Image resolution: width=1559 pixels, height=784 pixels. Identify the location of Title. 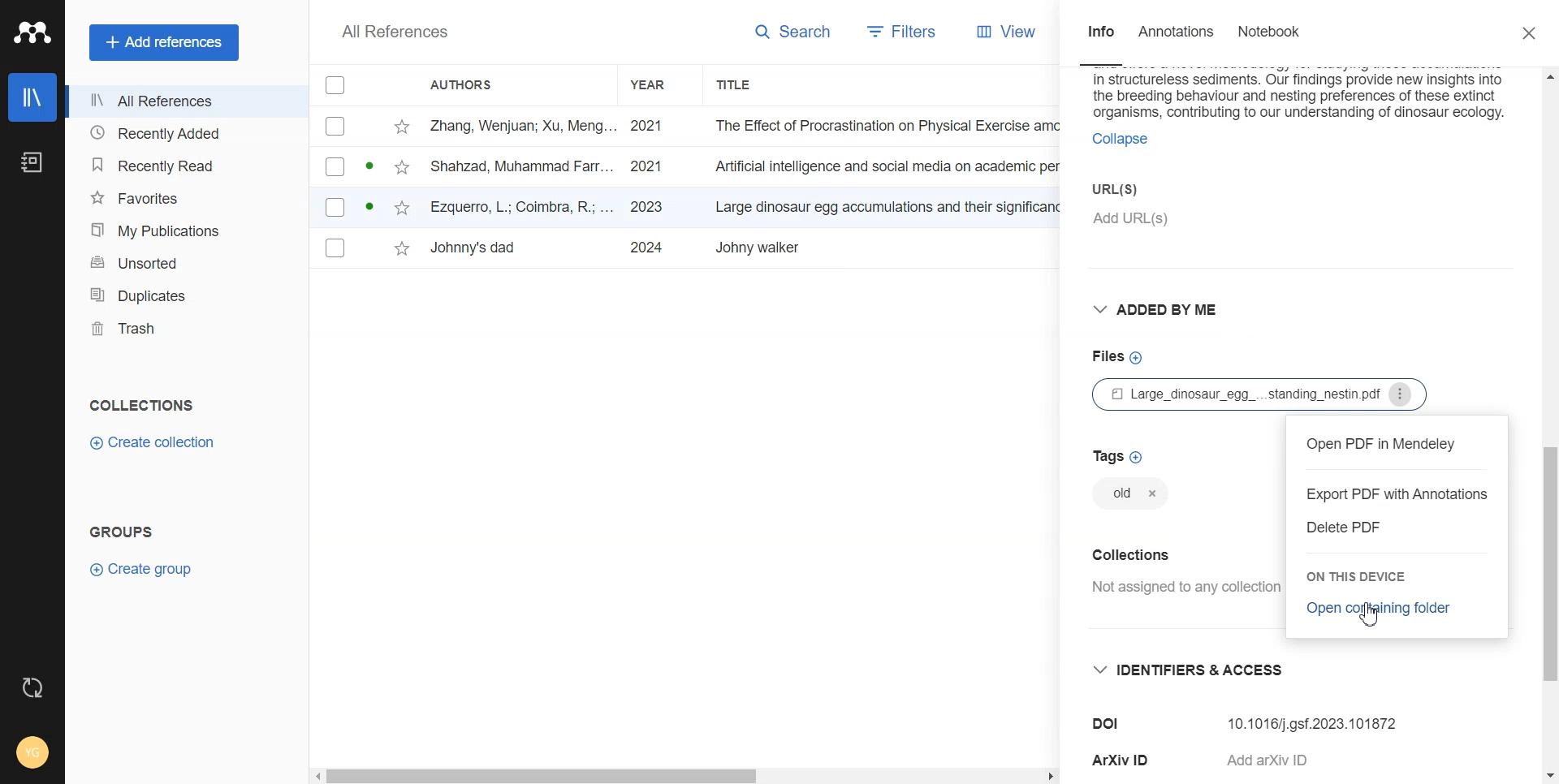
(738, 84).